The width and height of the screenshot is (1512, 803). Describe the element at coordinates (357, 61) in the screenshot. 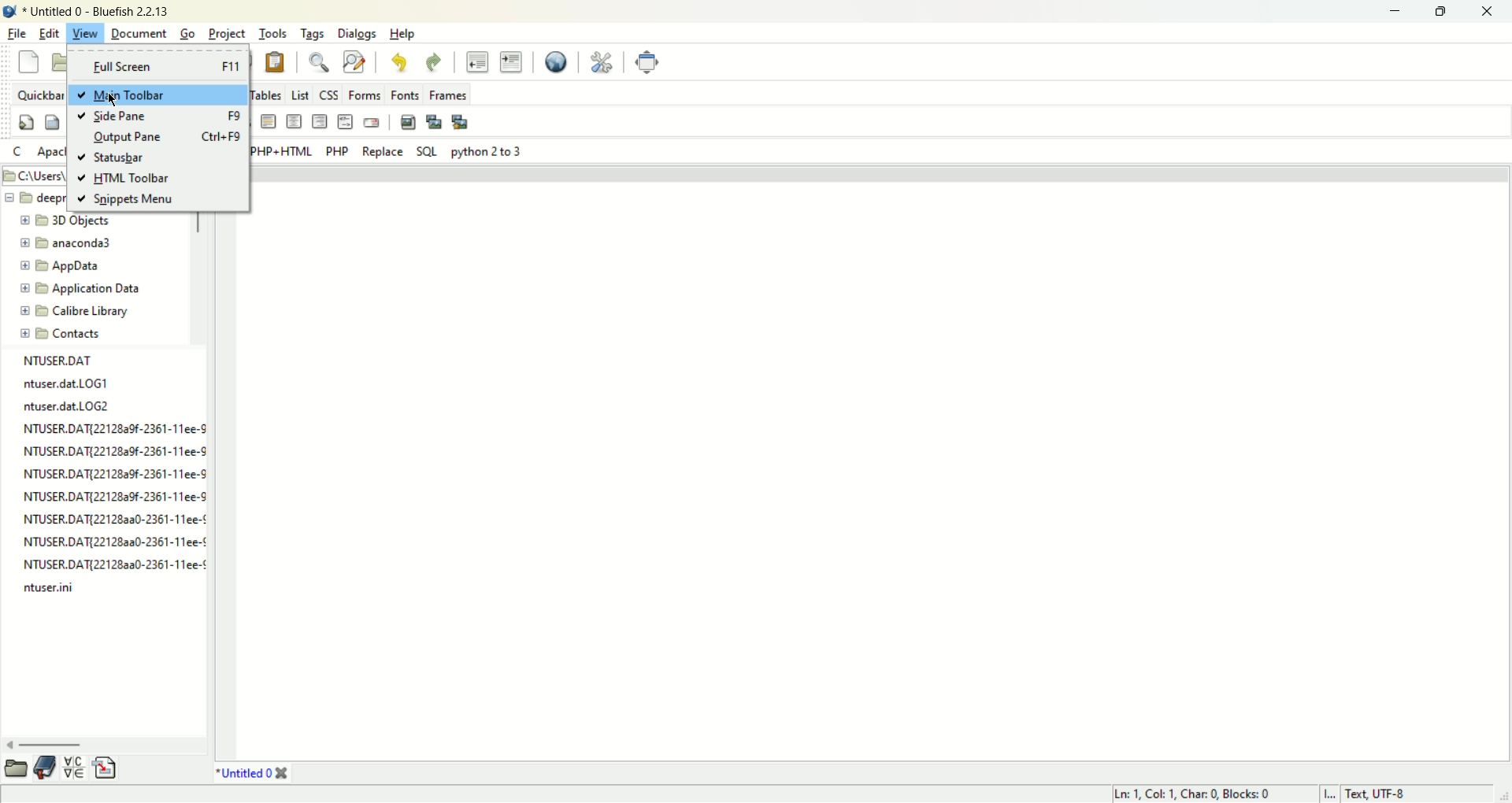

I see `advanced find and replace` at that location.